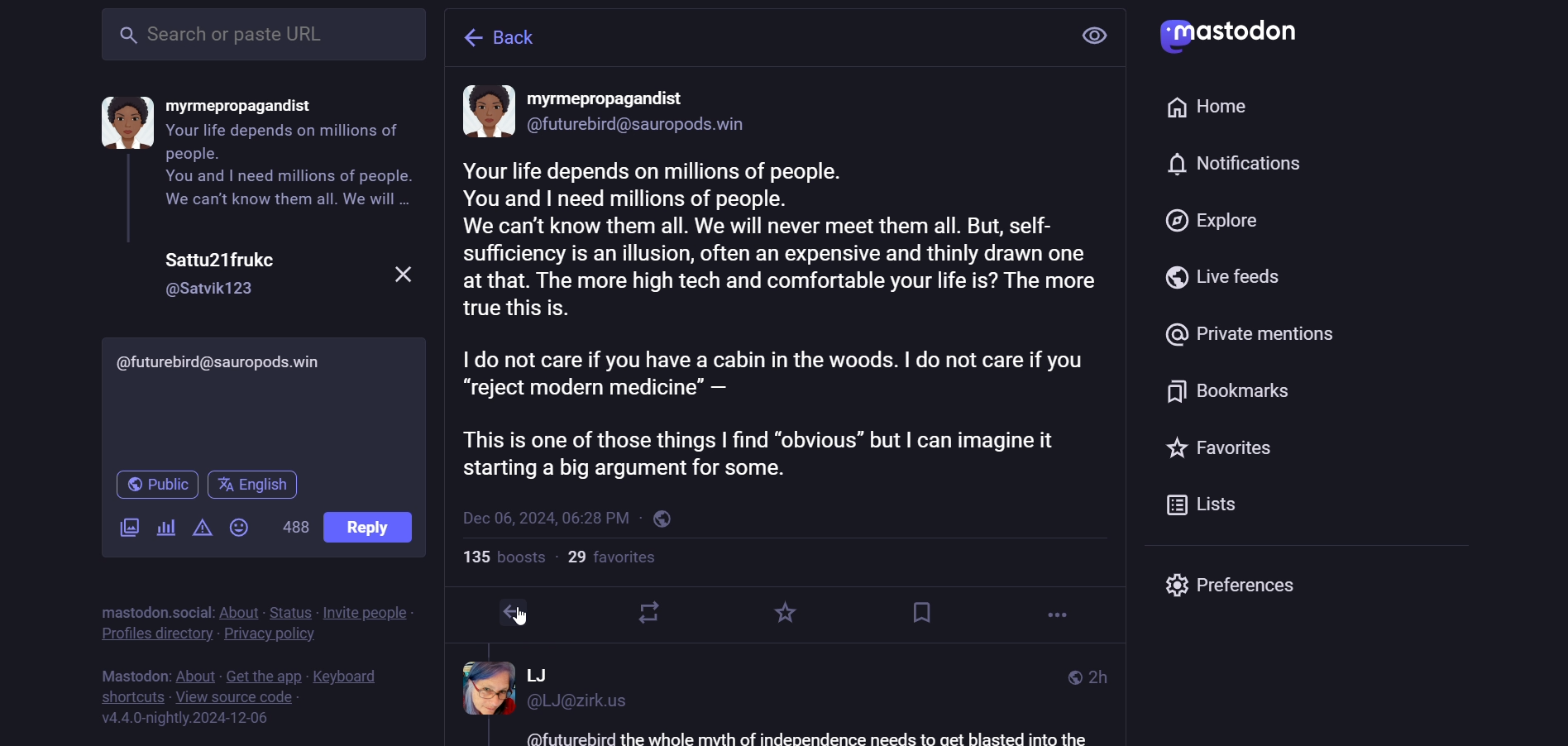 This screenshot has width=1568, height=746. What do you see at coordinates (125, 122) in the screenshot?
I see `display picture` at bounding box center [125, 122].